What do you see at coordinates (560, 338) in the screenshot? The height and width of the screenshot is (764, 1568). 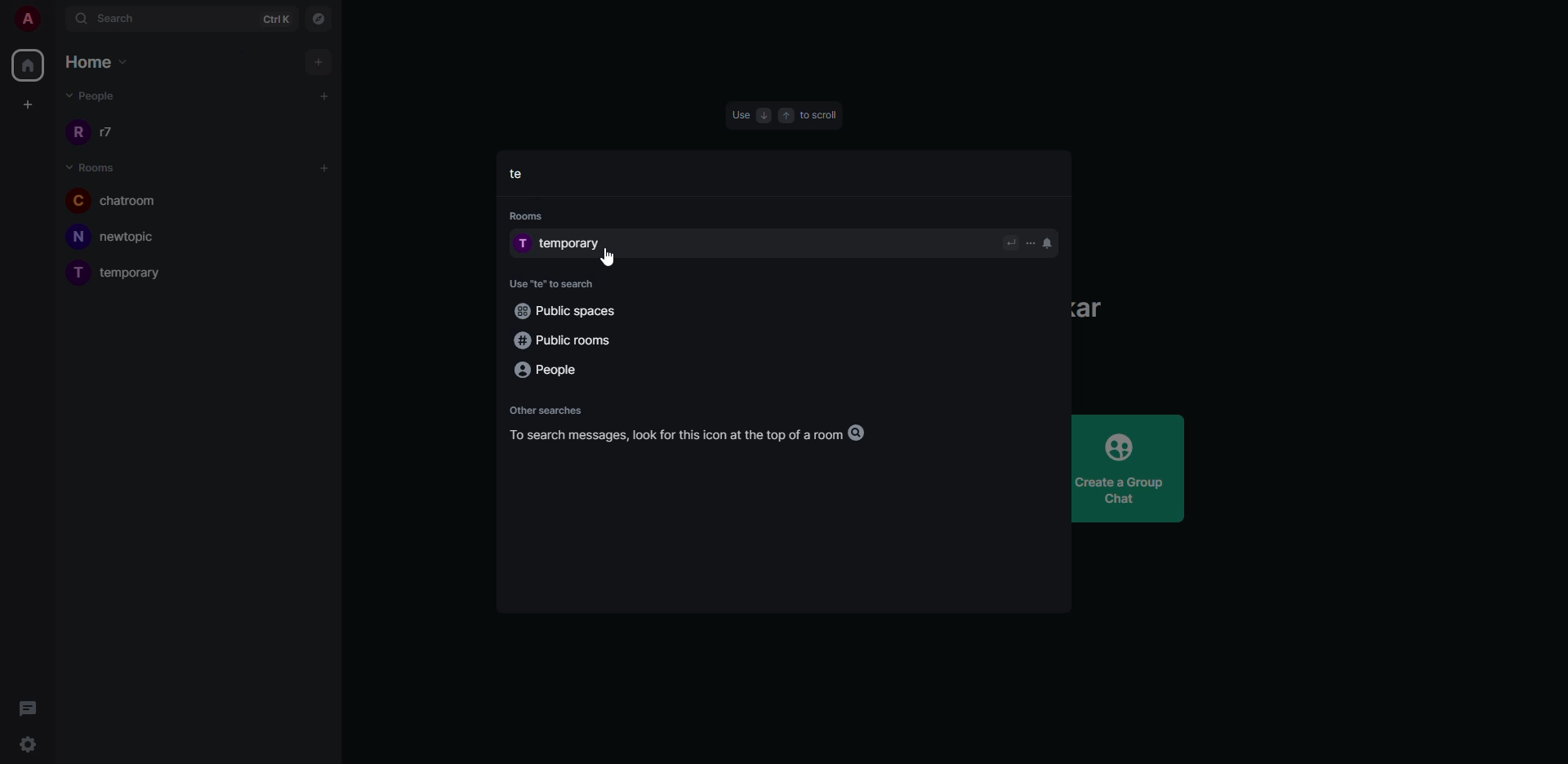 I see `Public rooms` at bounding box center [560, 338].